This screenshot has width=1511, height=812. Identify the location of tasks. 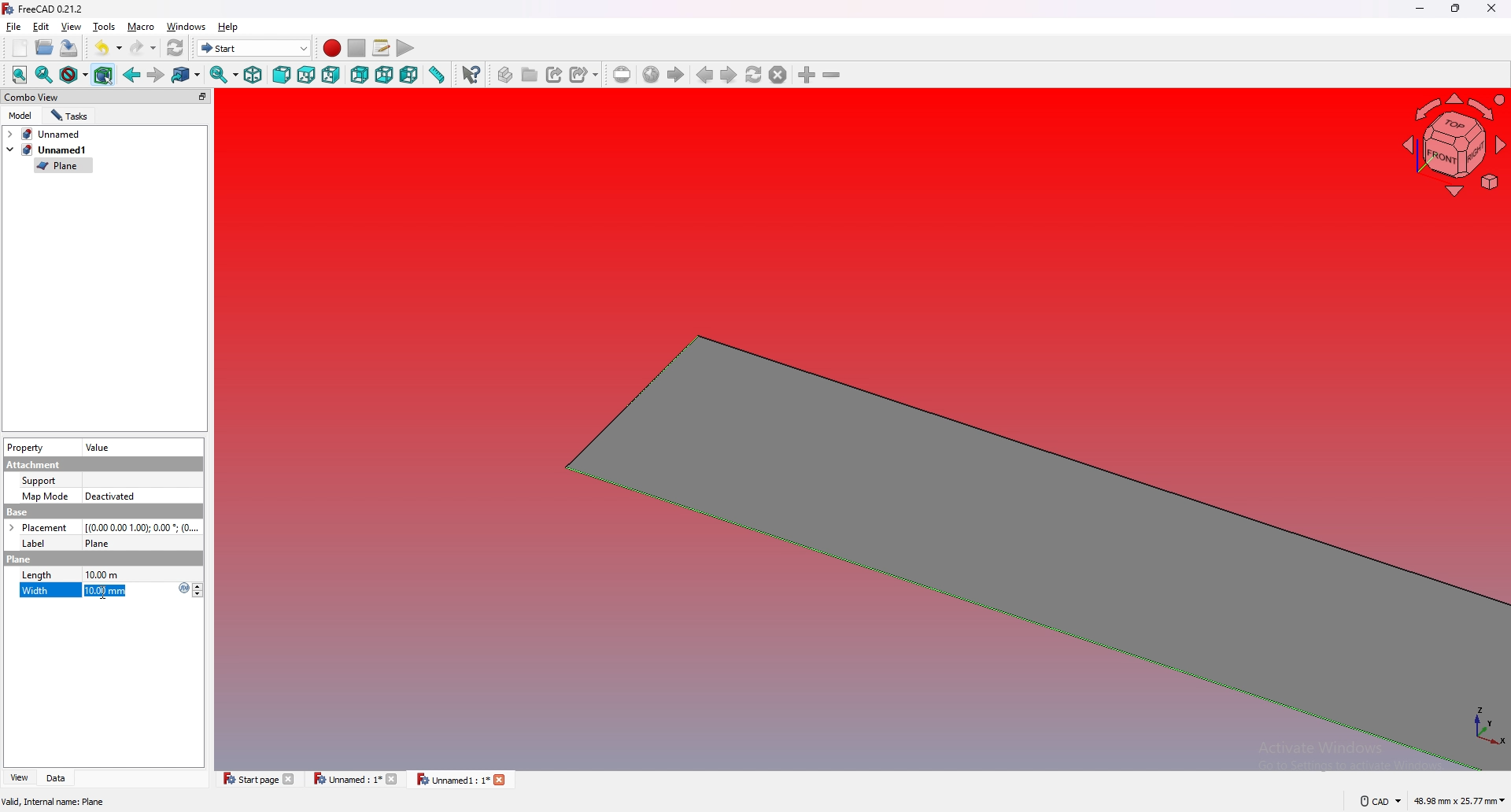
(70, 116).